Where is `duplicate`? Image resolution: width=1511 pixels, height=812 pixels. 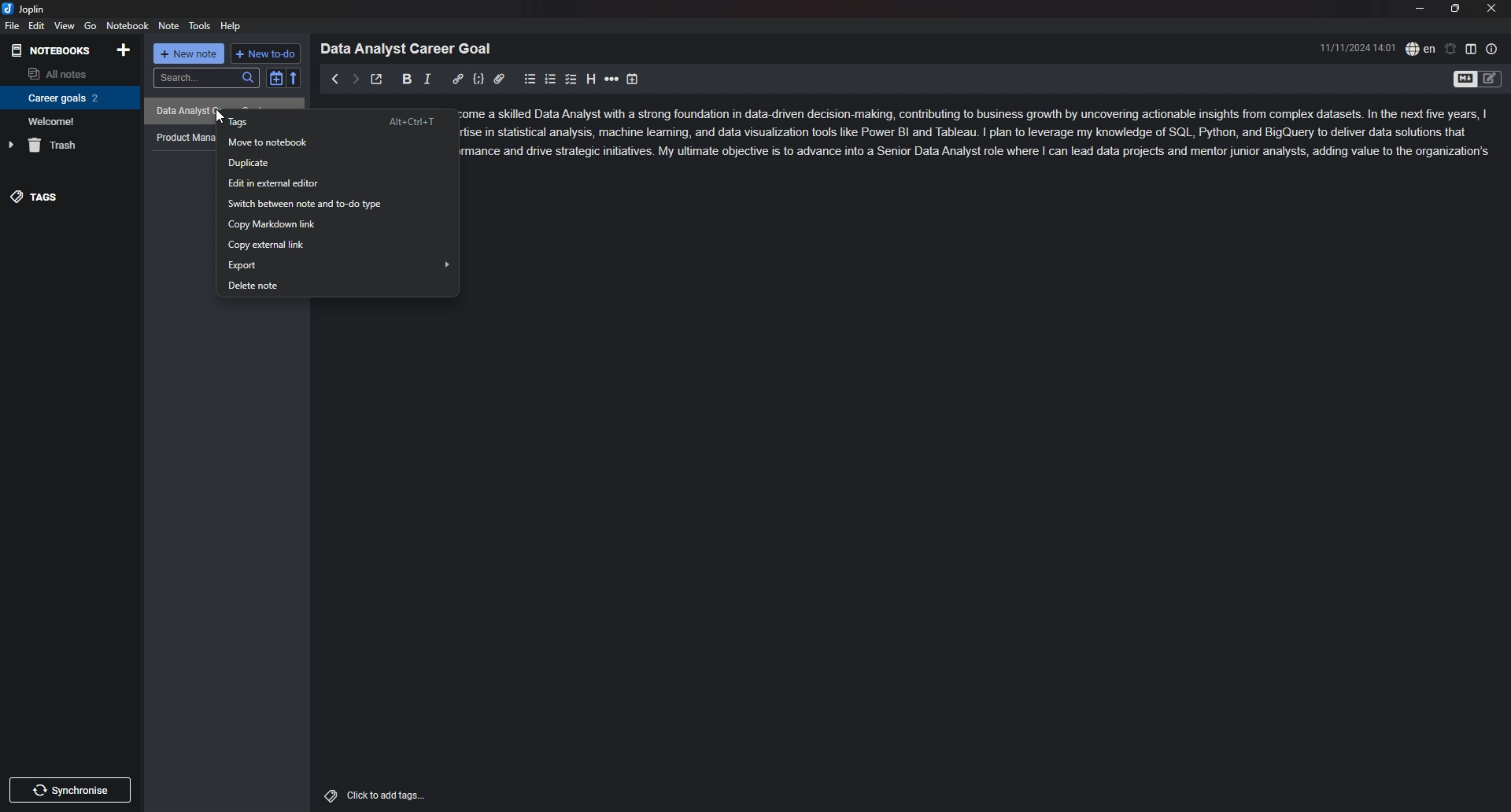
duplicate is located at coordinates (338, 164).